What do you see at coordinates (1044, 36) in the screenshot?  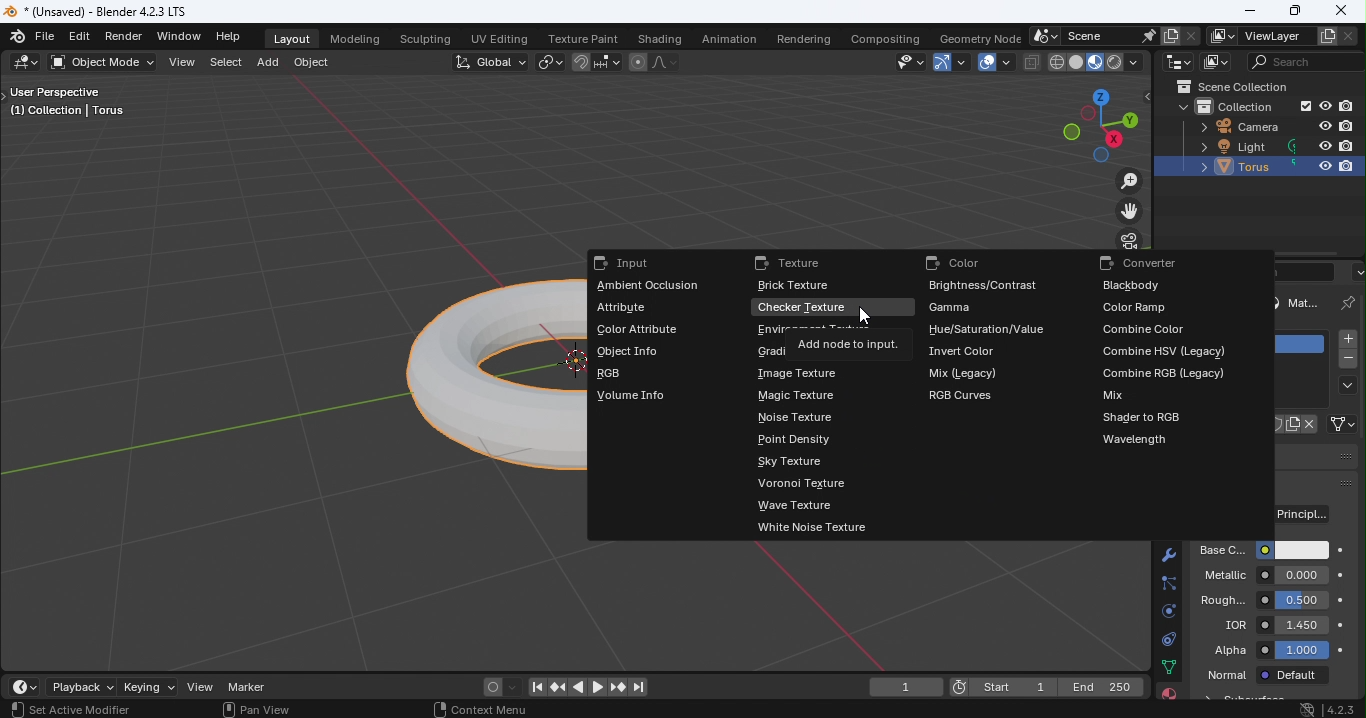 I see `Browse scene to be linked` at bounding box center [1044, 36].